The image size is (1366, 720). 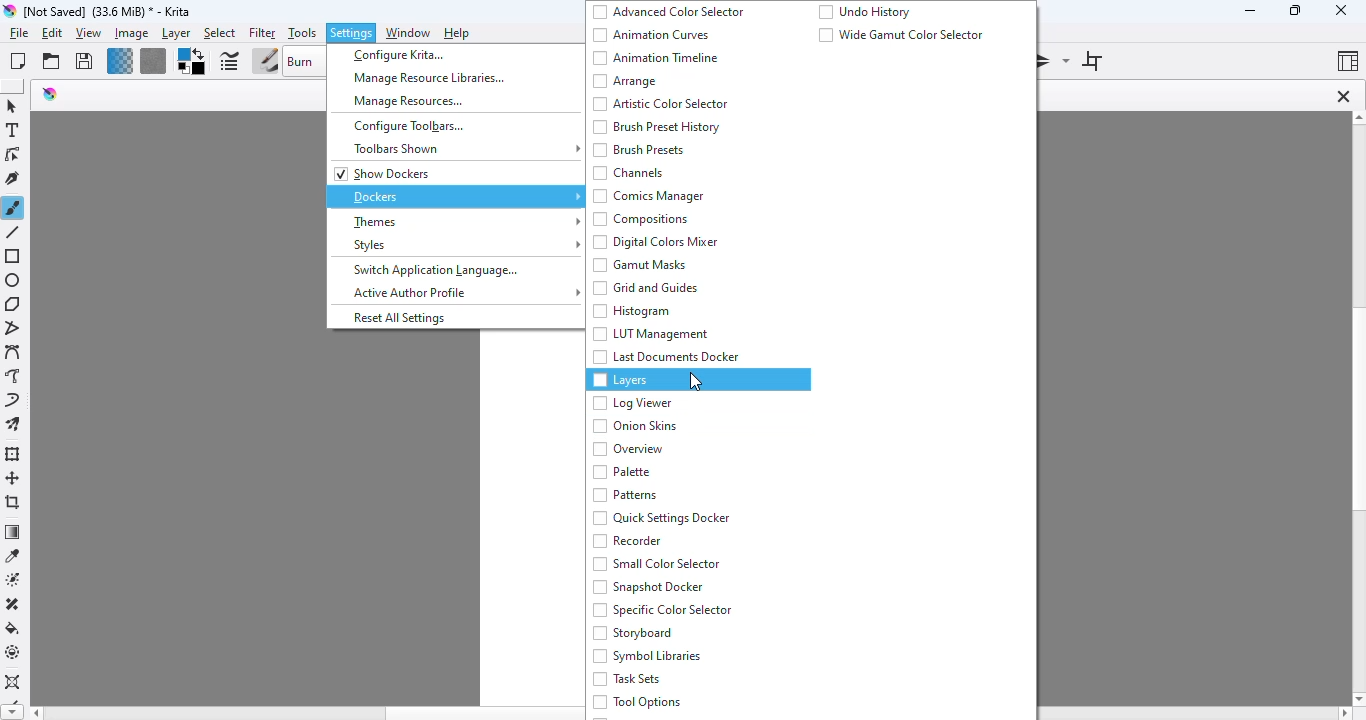 I want to click on animation curves, so click(x=651, y=35).